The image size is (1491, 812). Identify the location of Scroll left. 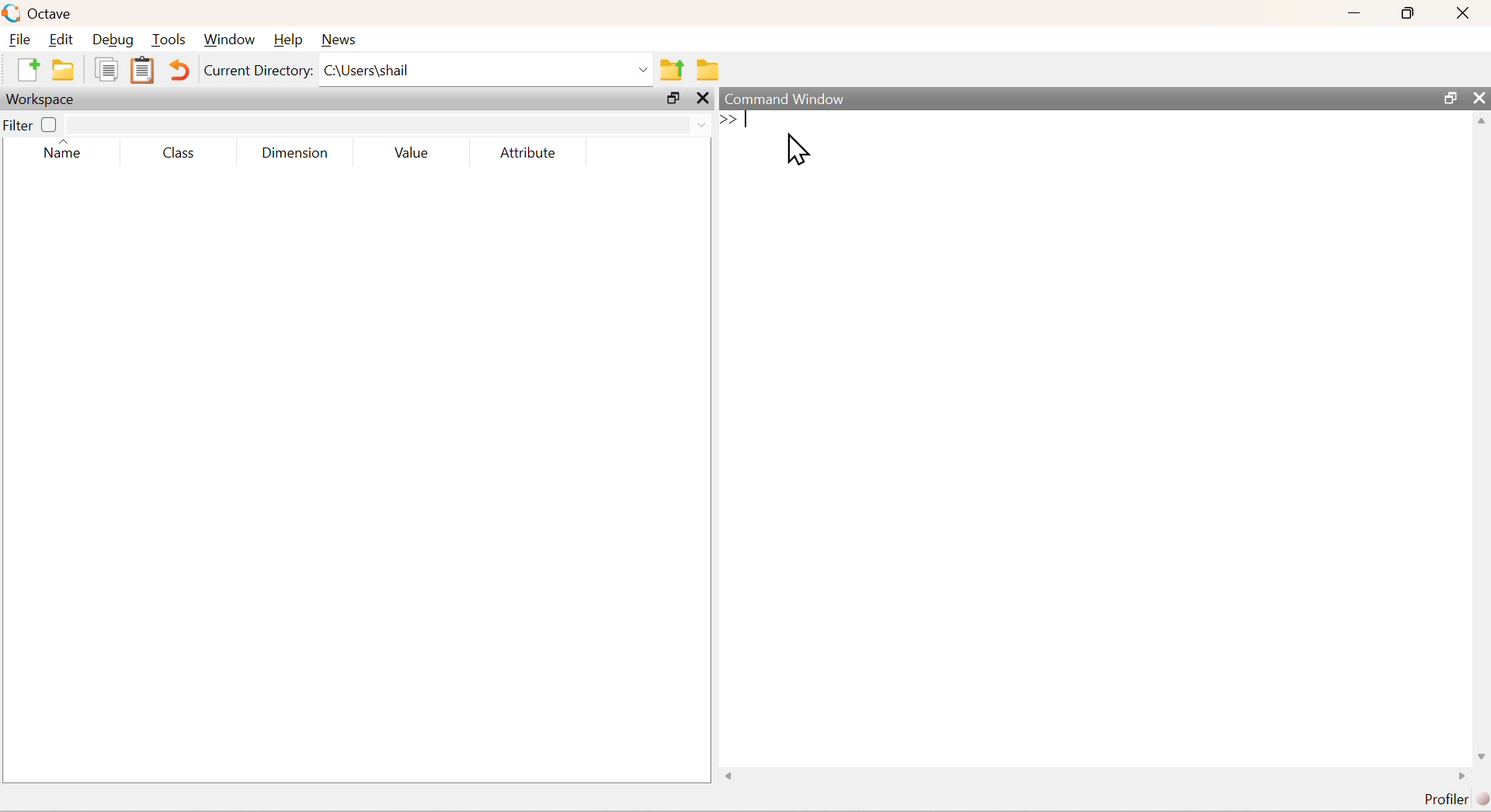
(731, 777).